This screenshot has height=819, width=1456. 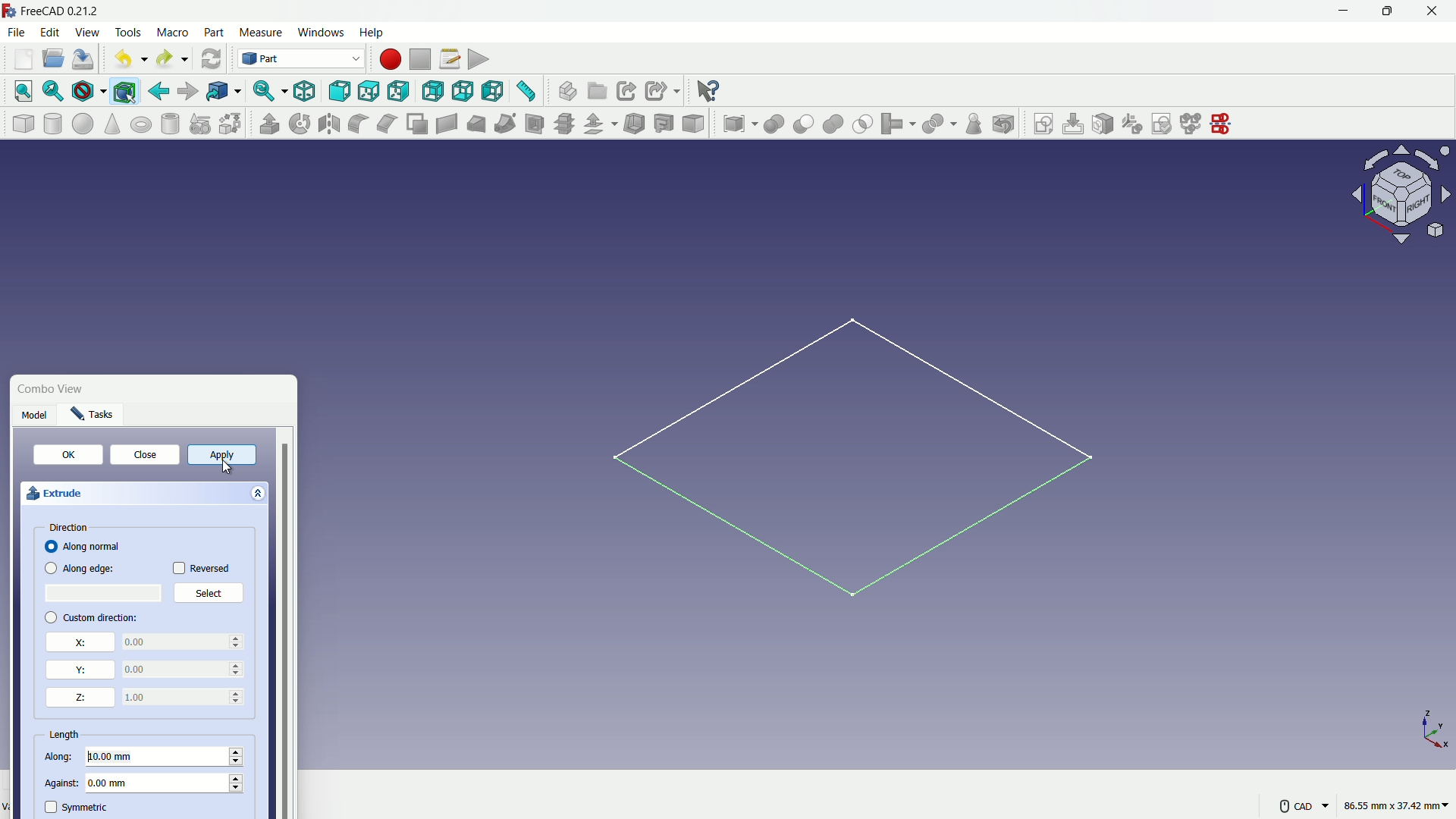 I want to click on 0.00 mm, so click(x=164, y=783).